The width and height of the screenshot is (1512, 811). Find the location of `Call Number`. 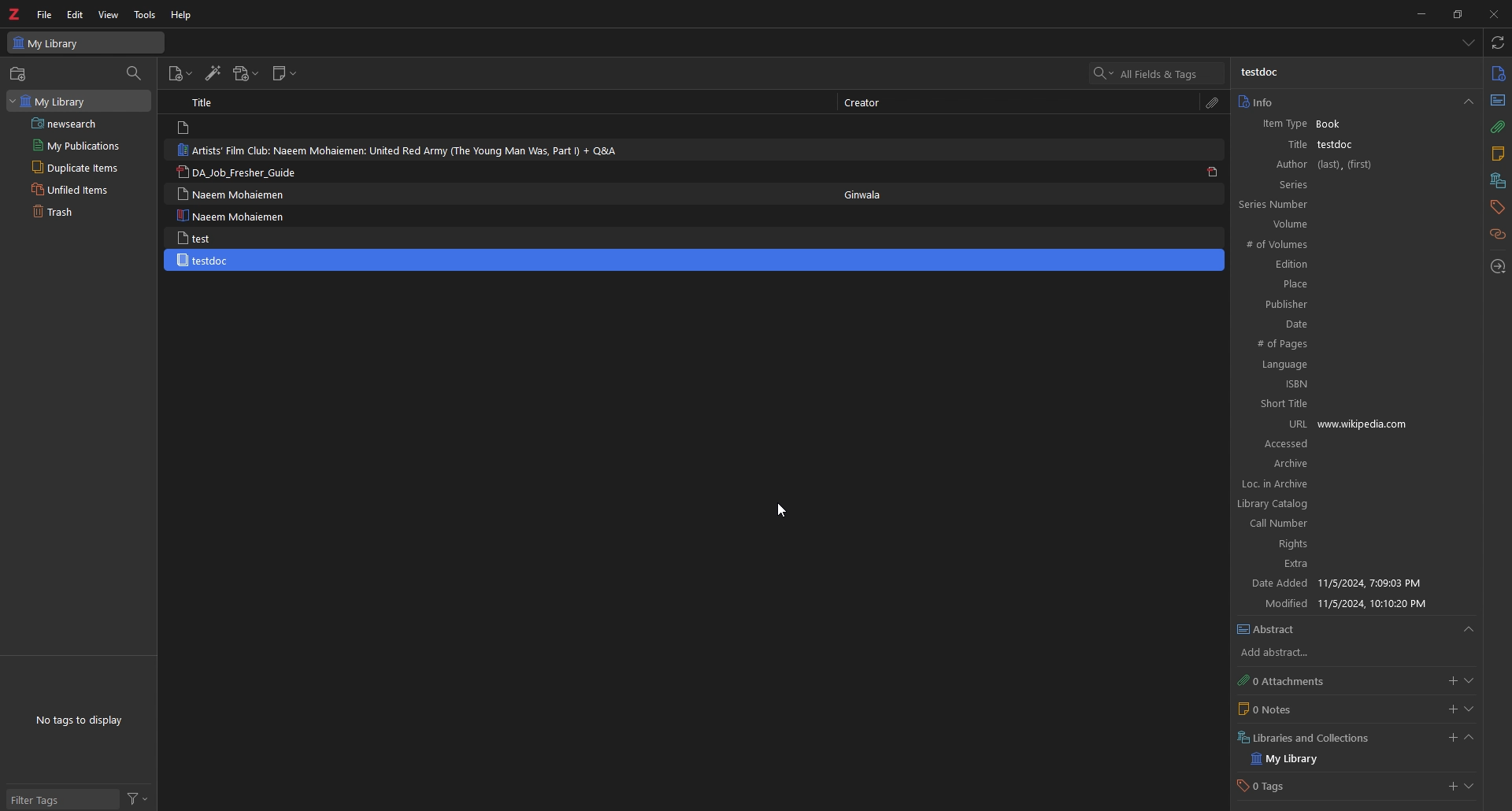

Call Number is located at coordinates (1346, 524).